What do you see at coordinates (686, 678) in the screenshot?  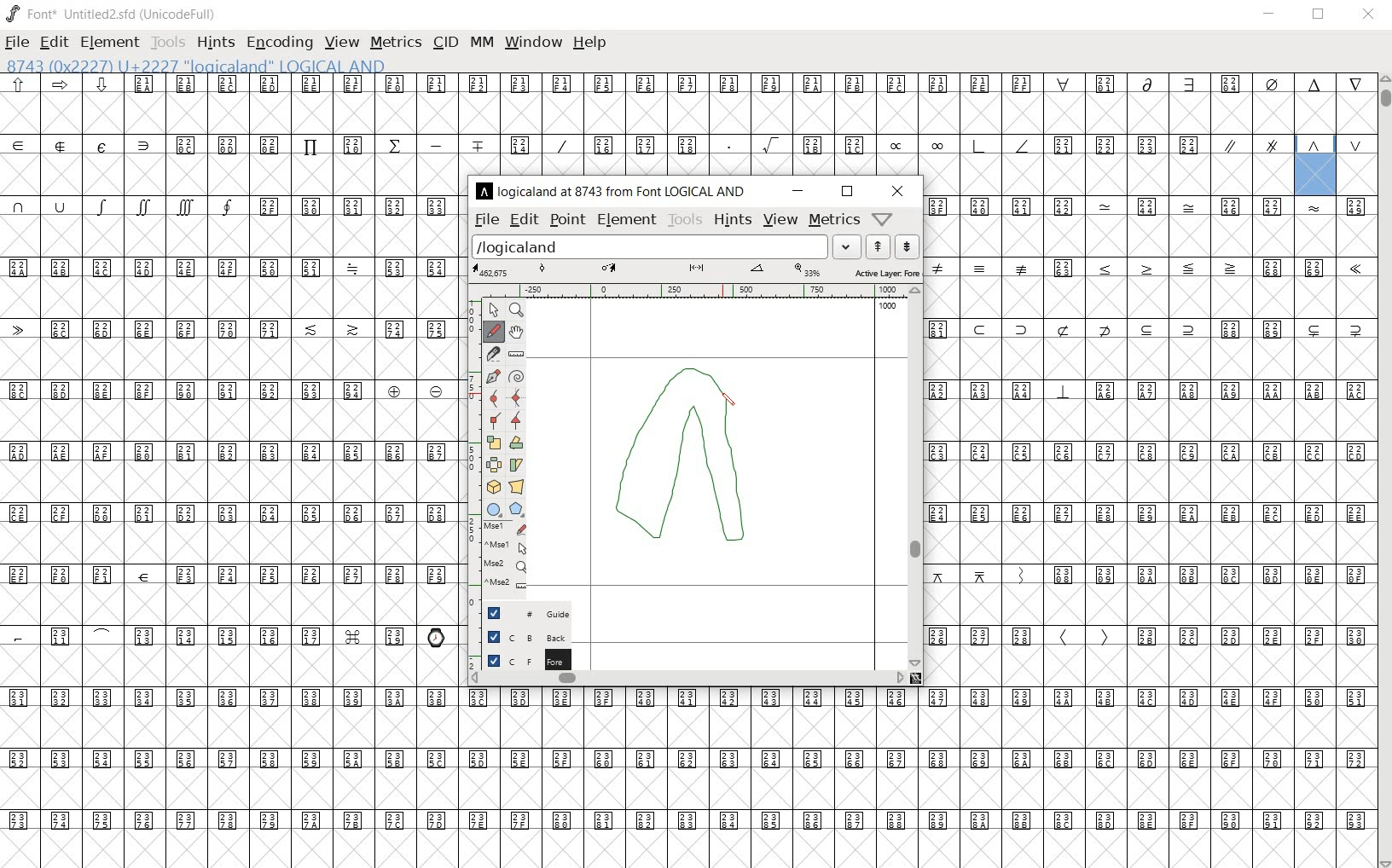 I see `scrollbar` at bounding box center [686, 678].